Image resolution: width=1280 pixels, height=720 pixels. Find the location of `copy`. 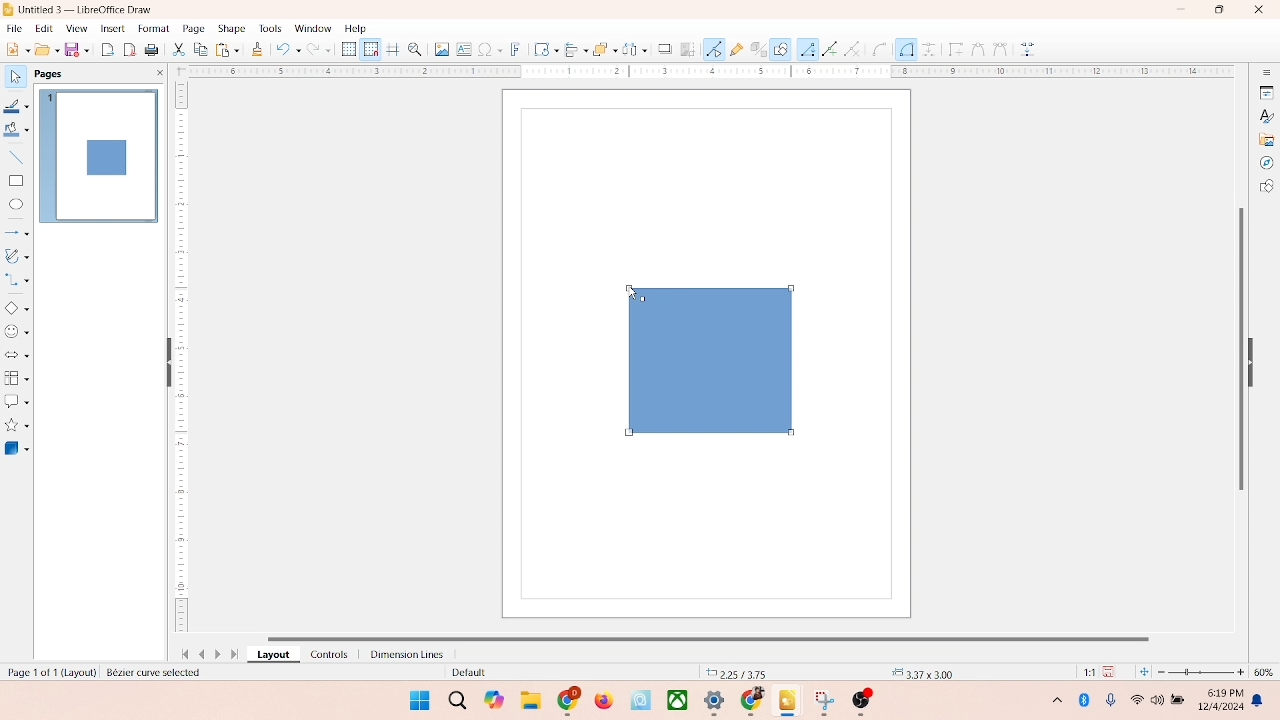

copy is located at coordinates (200, 51).